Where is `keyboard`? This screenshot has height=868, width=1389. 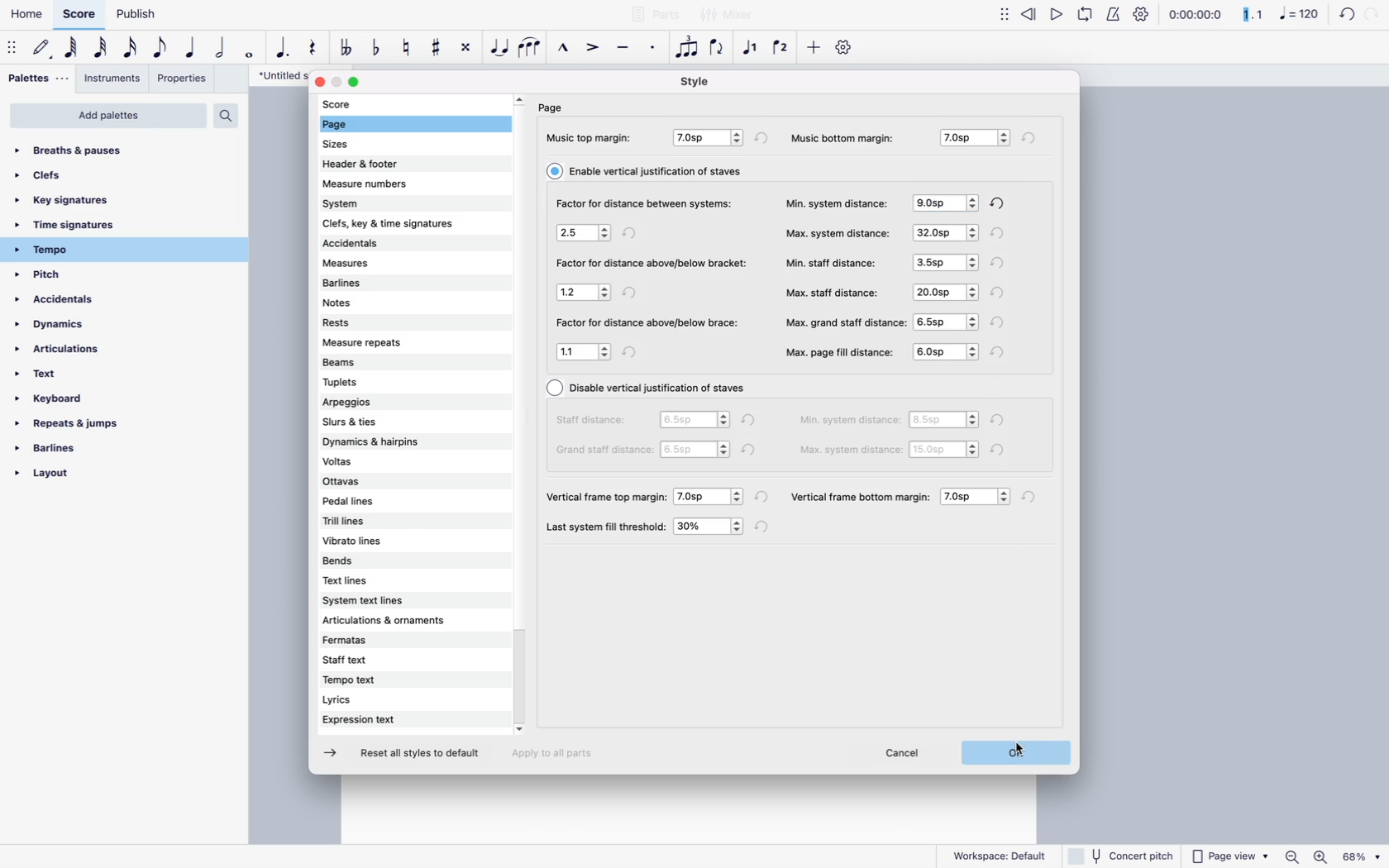
keyboard is located at coordinates (67, 401).